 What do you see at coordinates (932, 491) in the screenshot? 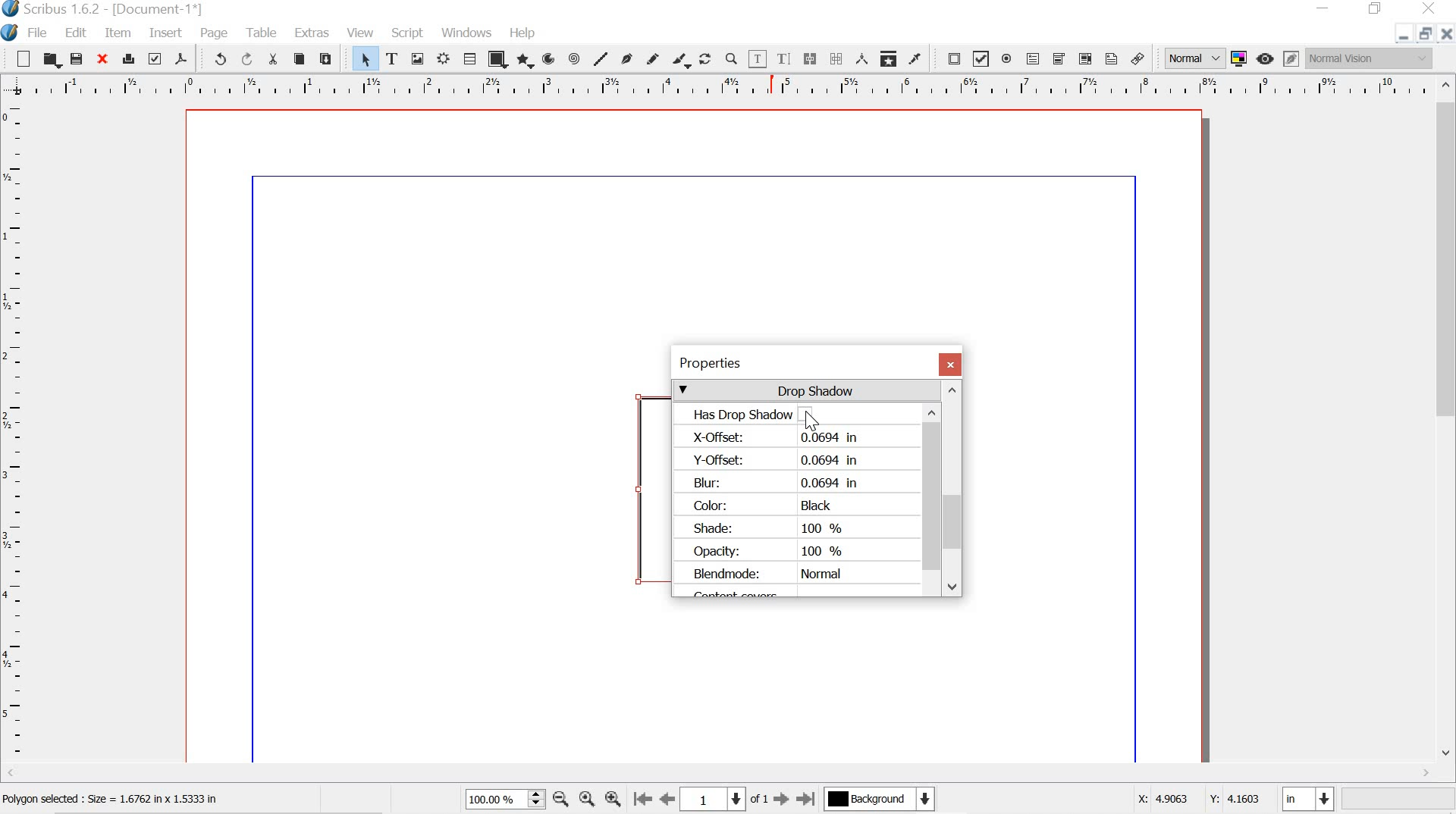
I see `scrollbar` at bounding box center [932, 491].